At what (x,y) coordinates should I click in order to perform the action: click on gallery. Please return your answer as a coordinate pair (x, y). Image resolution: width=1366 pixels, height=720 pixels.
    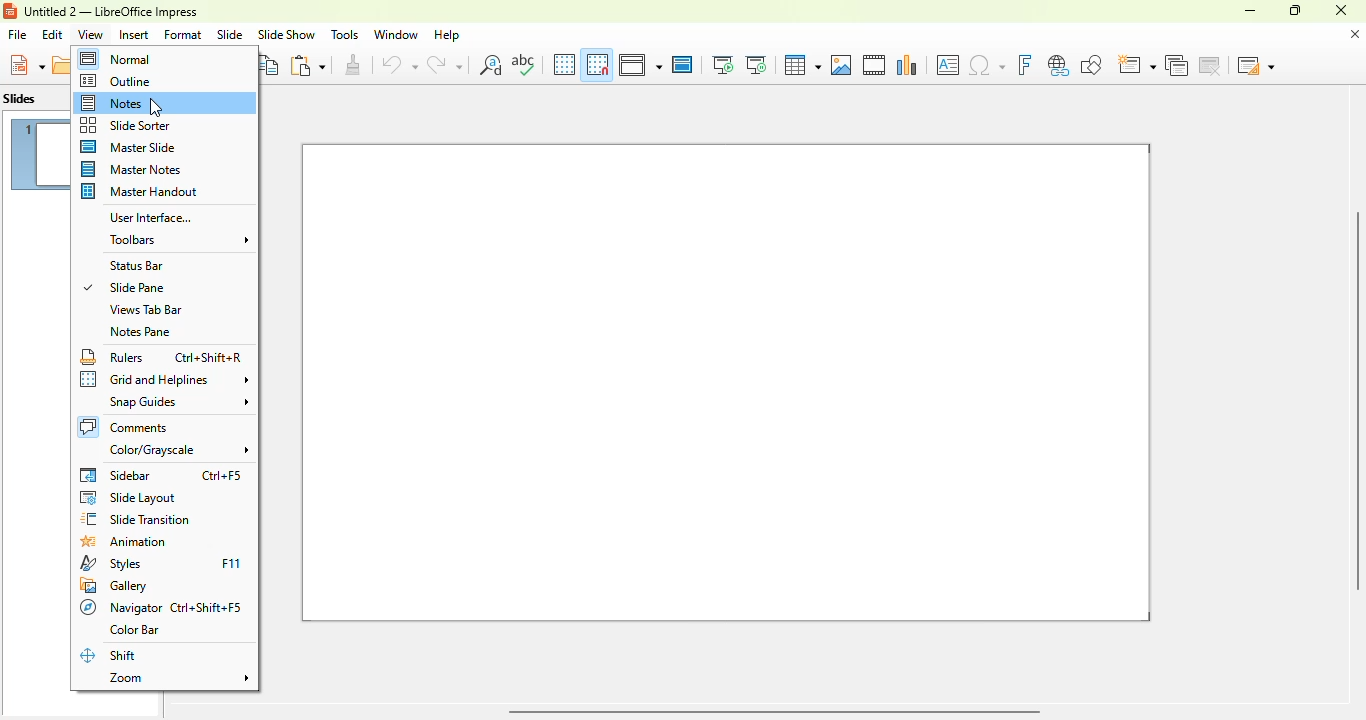
    Looking at the image, I should click on (114, 585).